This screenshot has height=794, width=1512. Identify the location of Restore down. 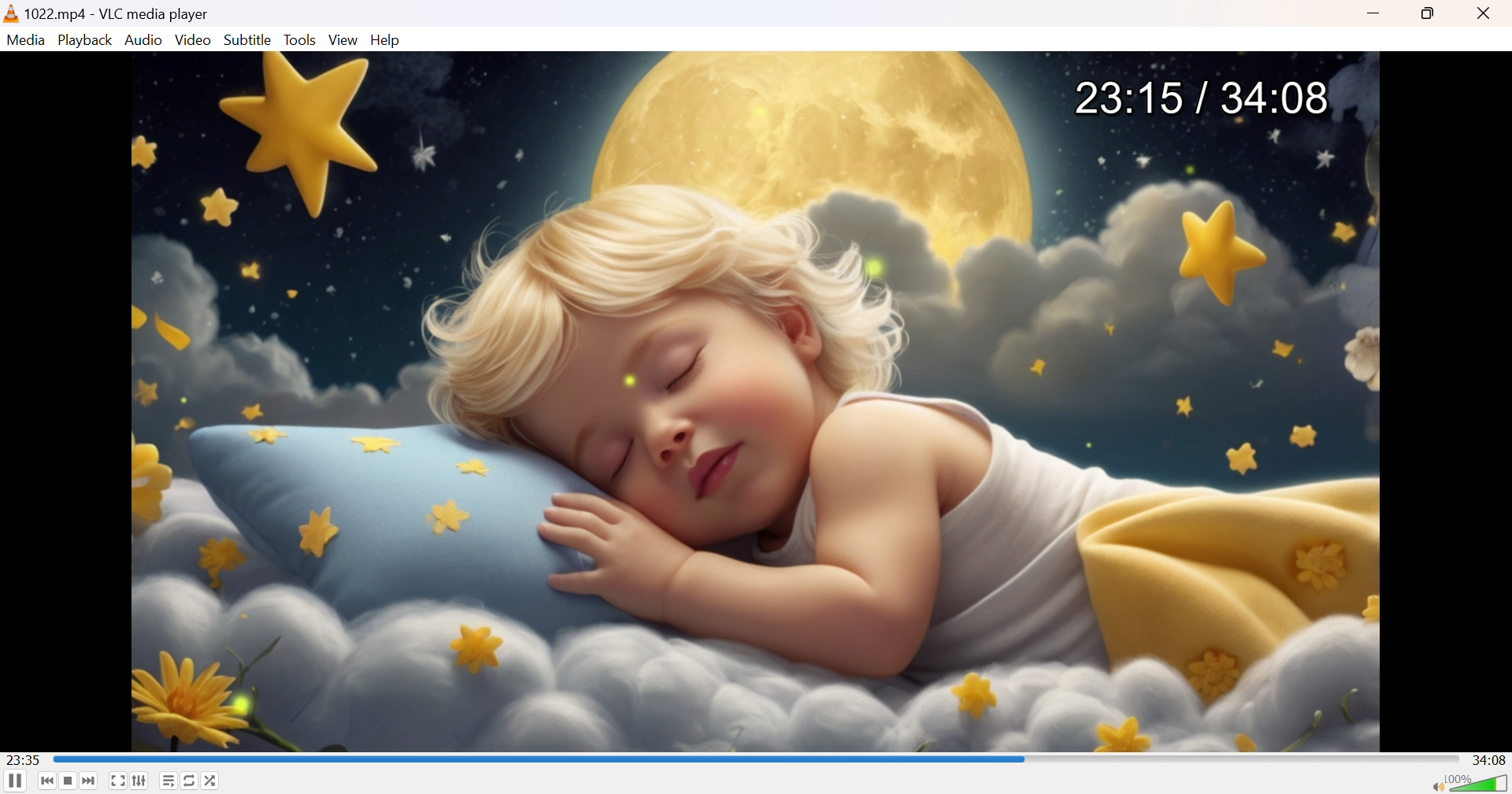
(1431, 15).